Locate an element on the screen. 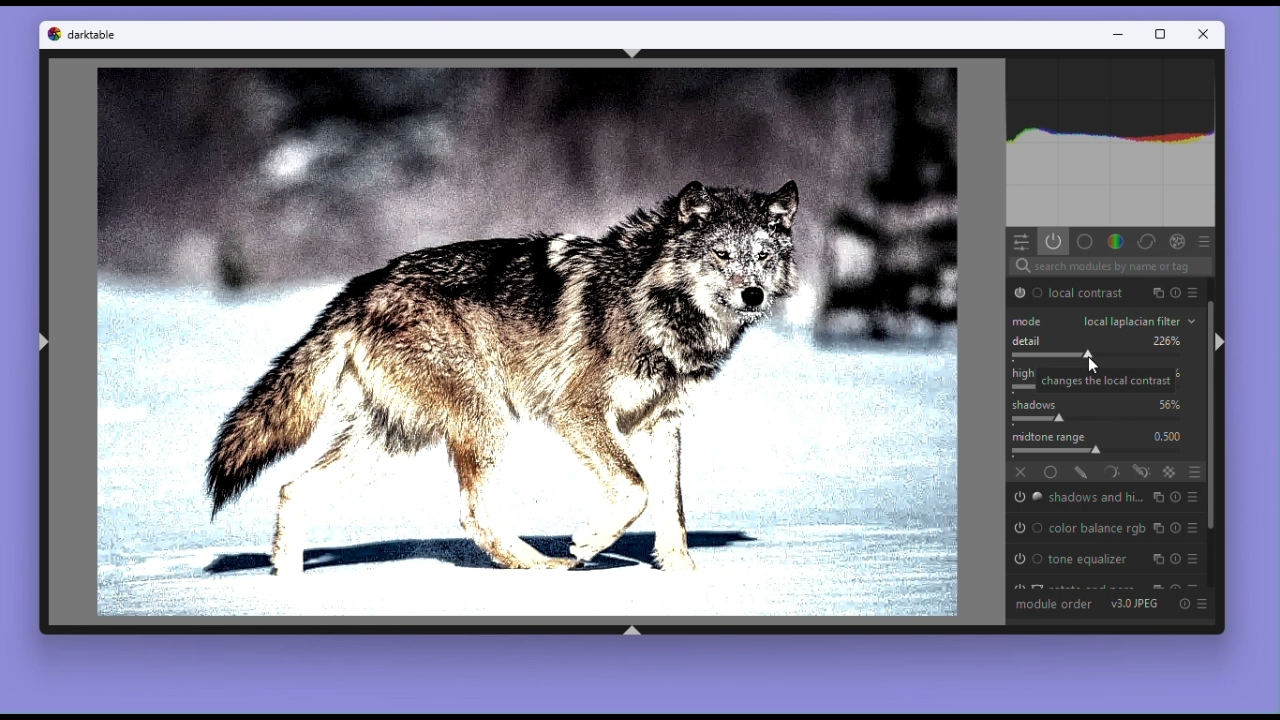 This screenshot has height=720, width=1280. darktable is located at coordinates (96, 34).